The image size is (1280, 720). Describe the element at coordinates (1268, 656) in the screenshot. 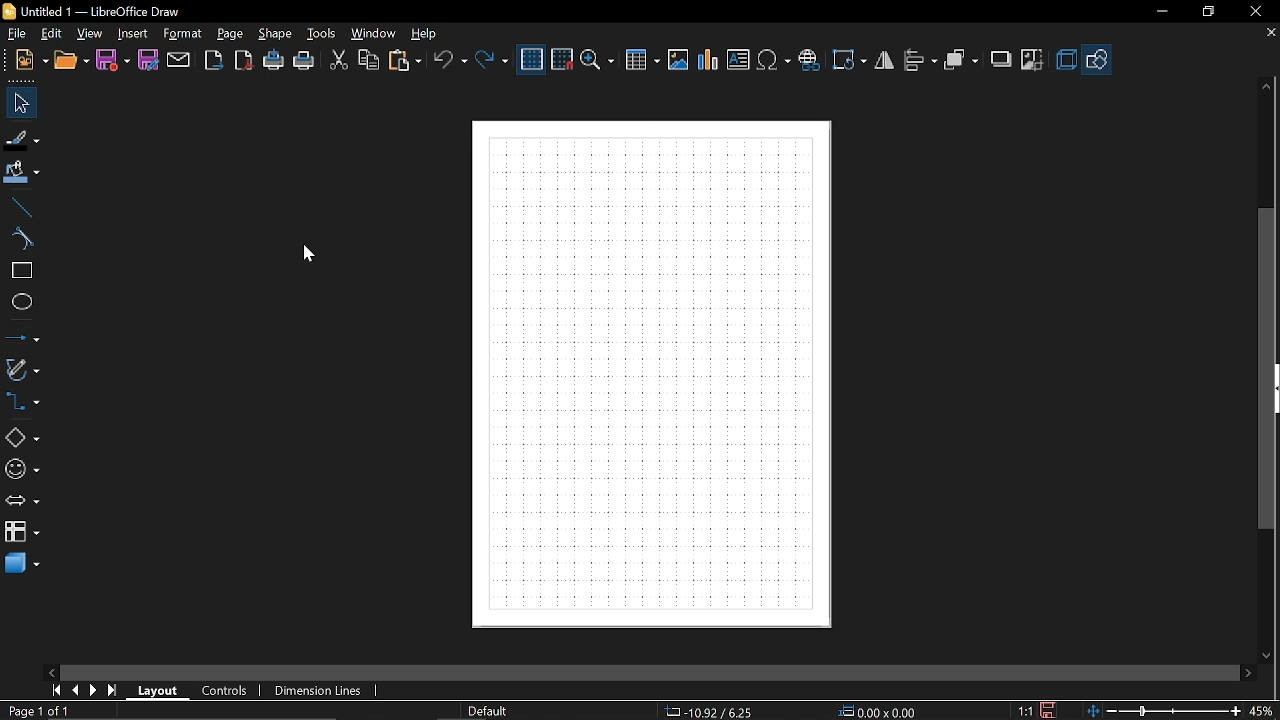

I see `Move down` at that location.